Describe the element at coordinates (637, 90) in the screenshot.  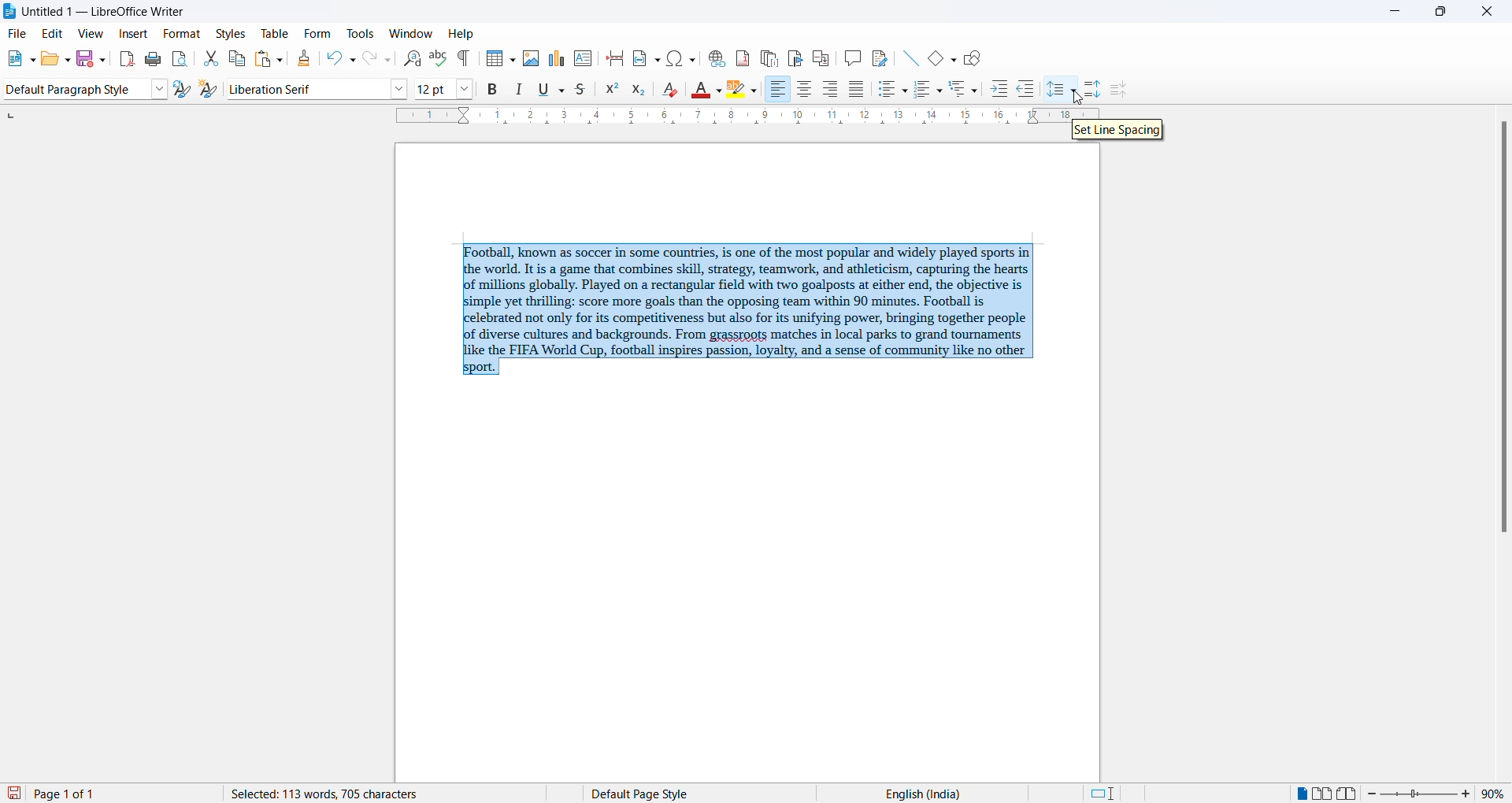
I see `subscript` at that location.